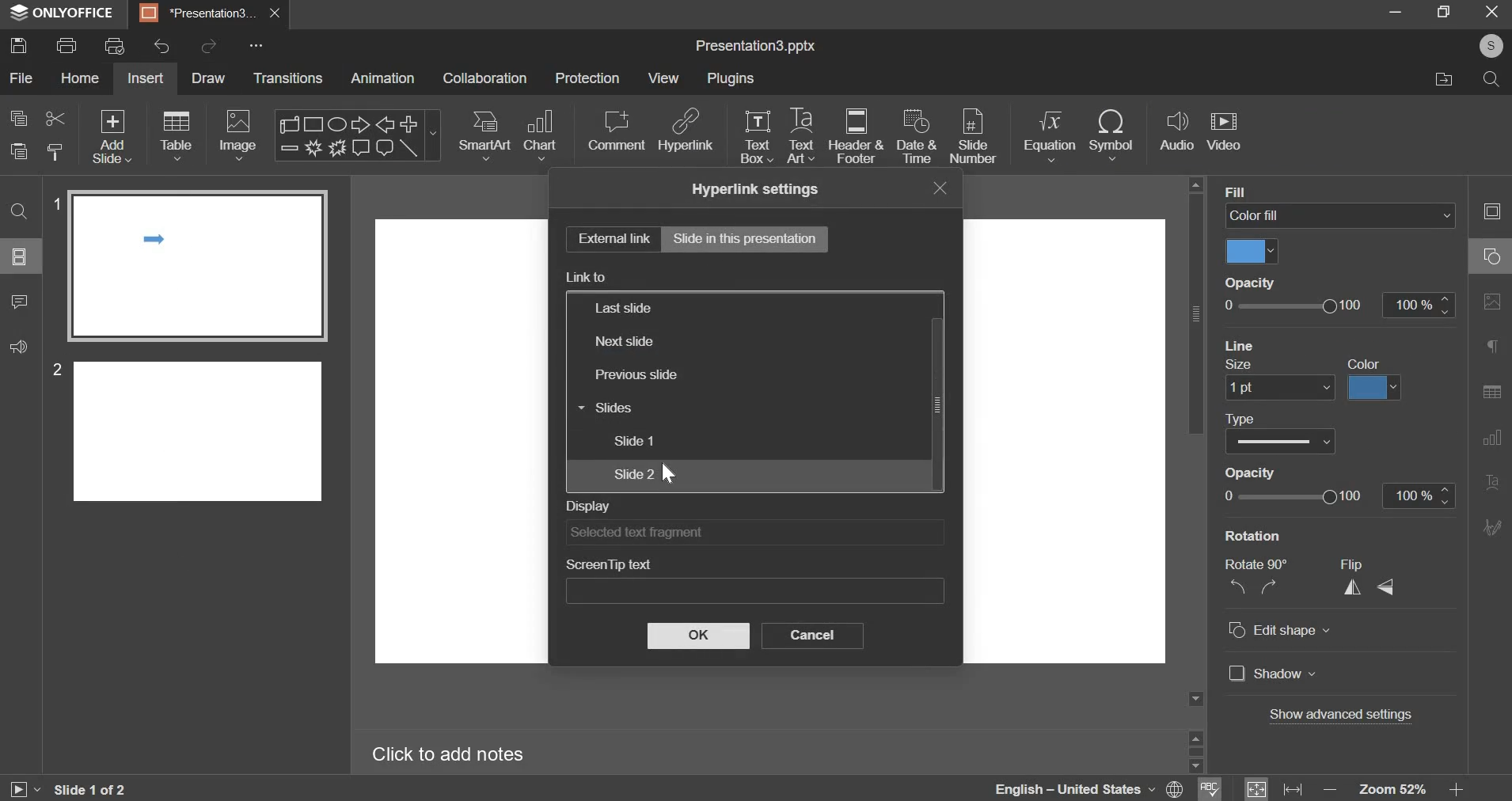 Image resolution: width=1512 pixels, height=801 pixels. Describe the element at coordinates (1384, 587) in the screenshot. I see `flip vertically` at that location.